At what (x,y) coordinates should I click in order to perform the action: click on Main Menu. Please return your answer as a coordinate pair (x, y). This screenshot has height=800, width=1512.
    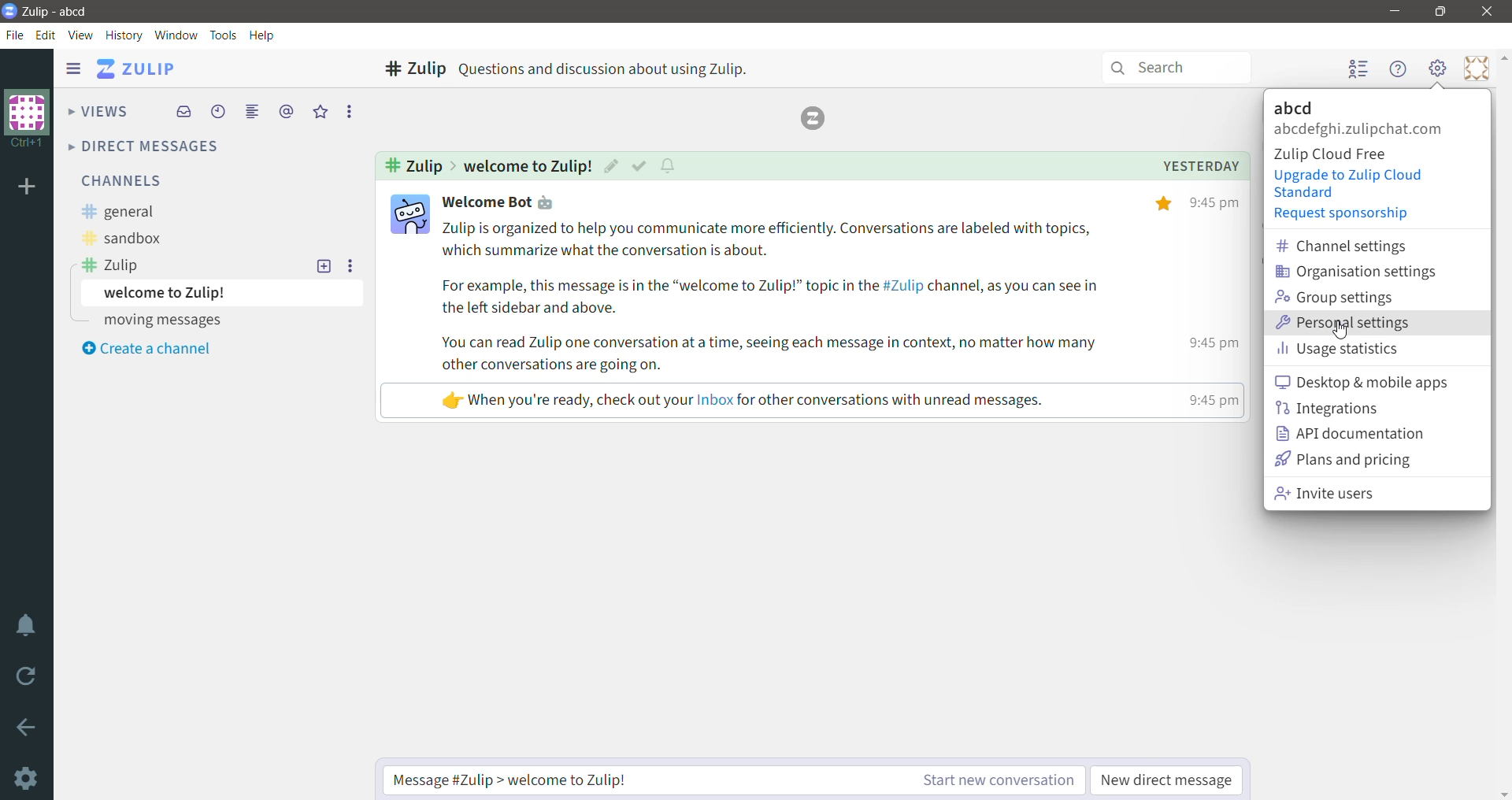
    Looking at the image, I should click on (1439, 68).